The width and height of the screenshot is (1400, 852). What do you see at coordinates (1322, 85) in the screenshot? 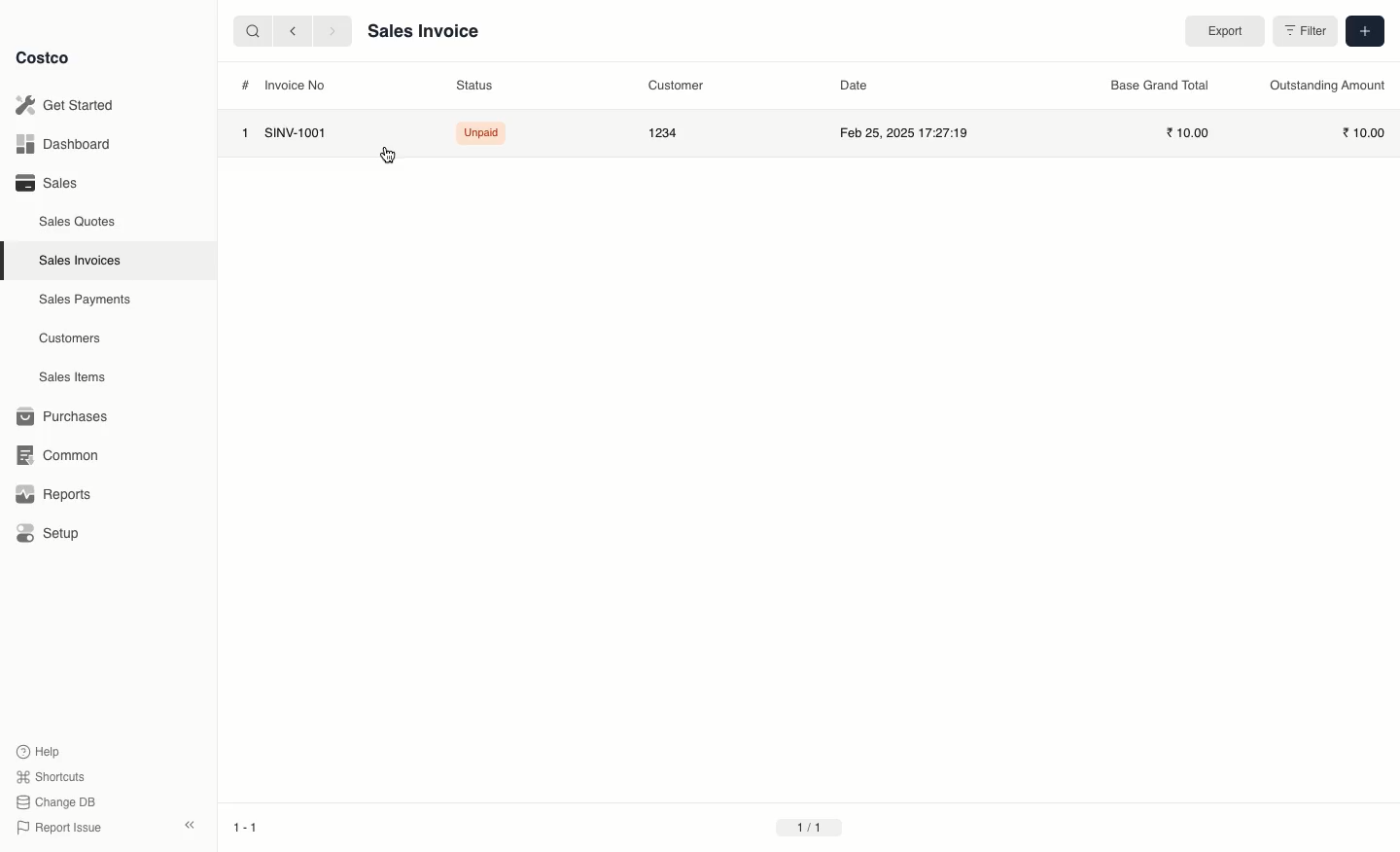
I see `‘Outstanding Amount` at bounding box center [1322, 85].